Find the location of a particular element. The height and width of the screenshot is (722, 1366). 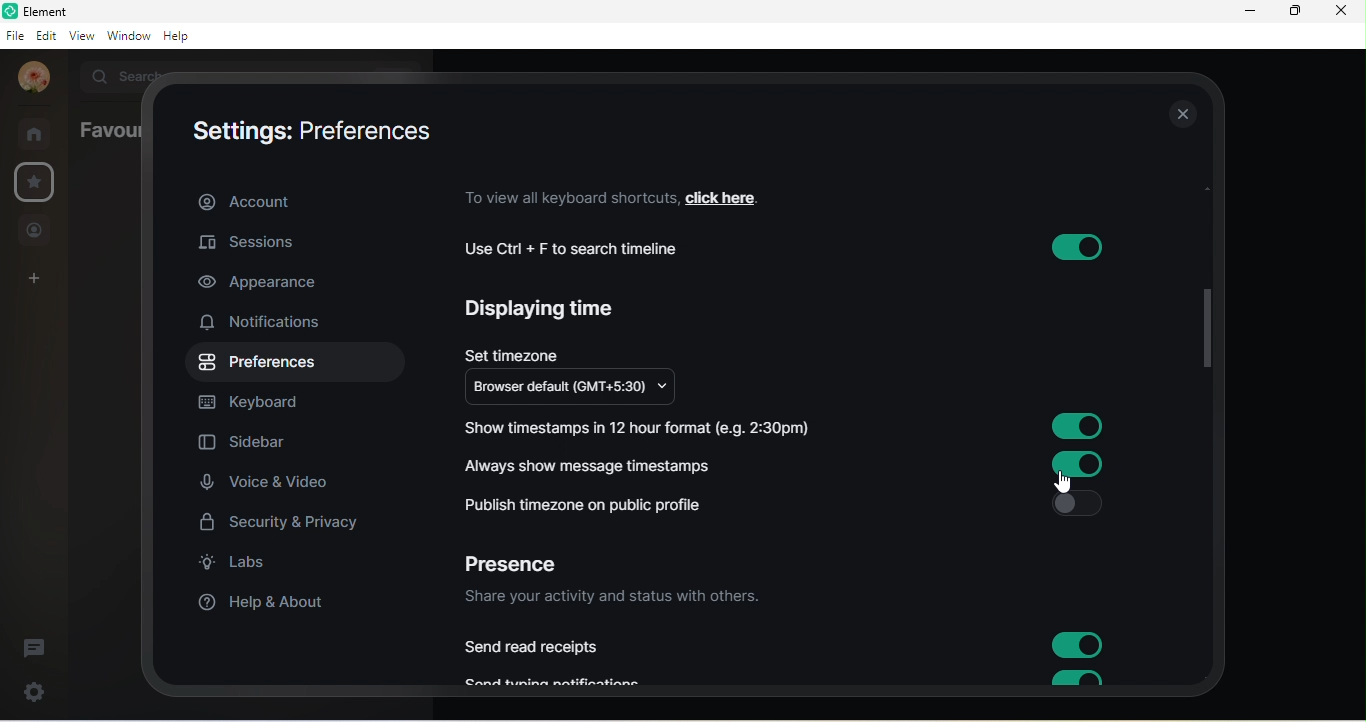

button is located at coordinates (1078, 646).